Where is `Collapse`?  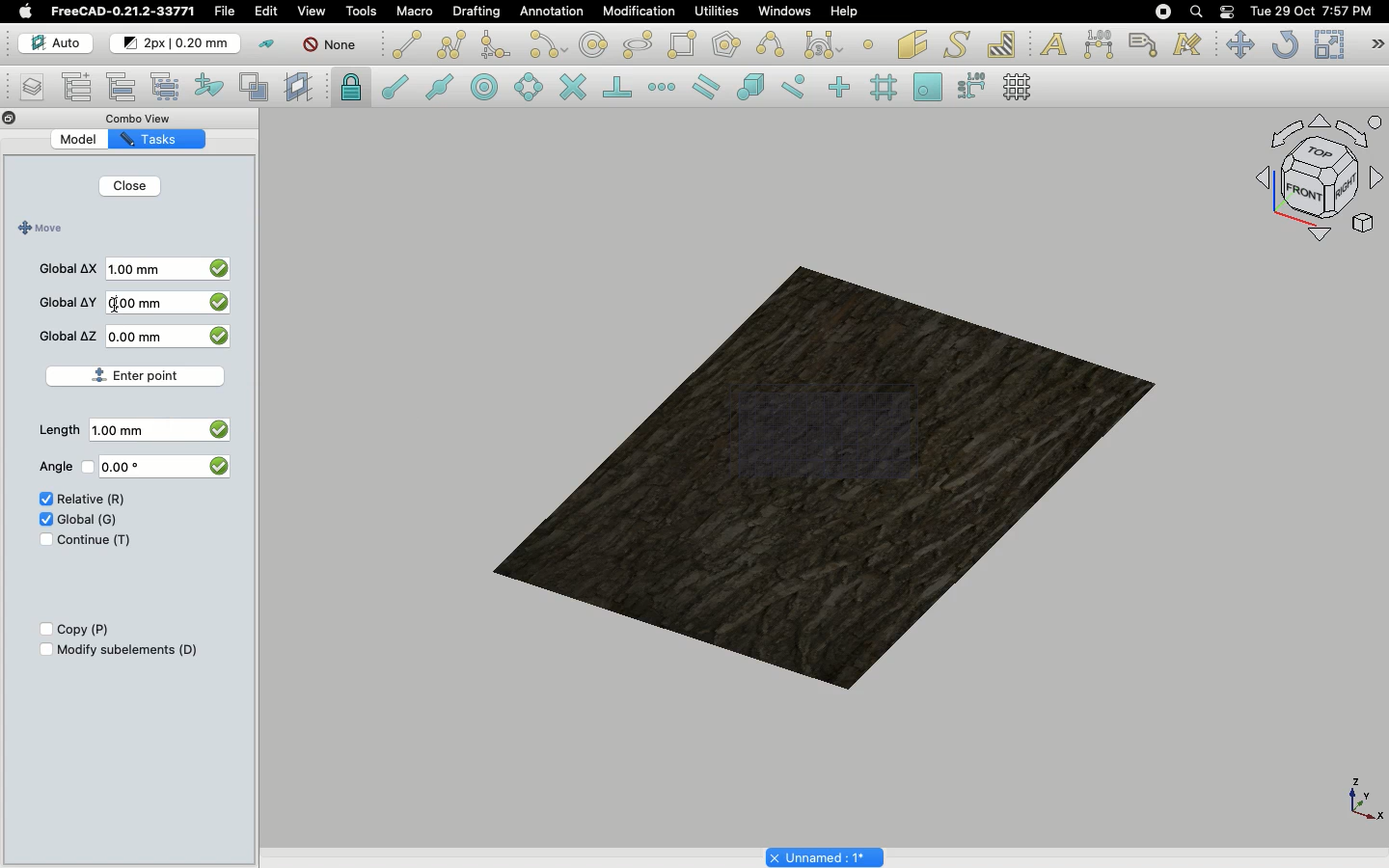
Collapse is located at coordinates (28, 119).